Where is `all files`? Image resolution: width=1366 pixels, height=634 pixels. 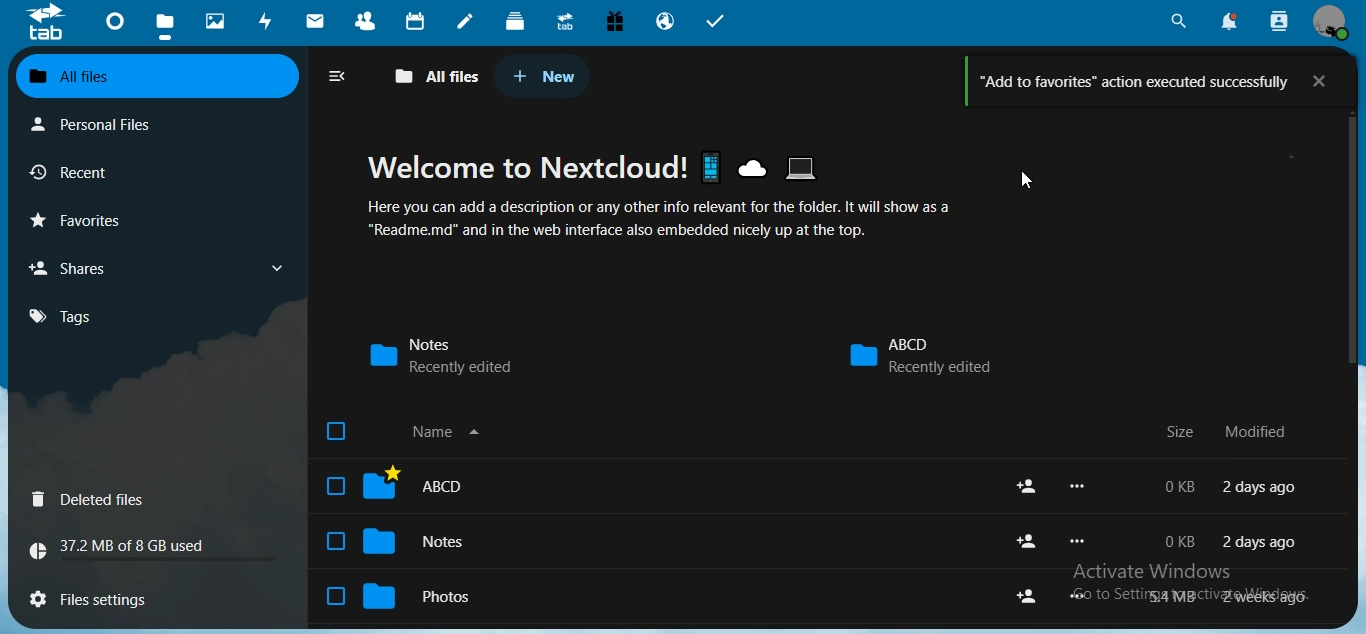
all files is located at coordinates (441, 77).